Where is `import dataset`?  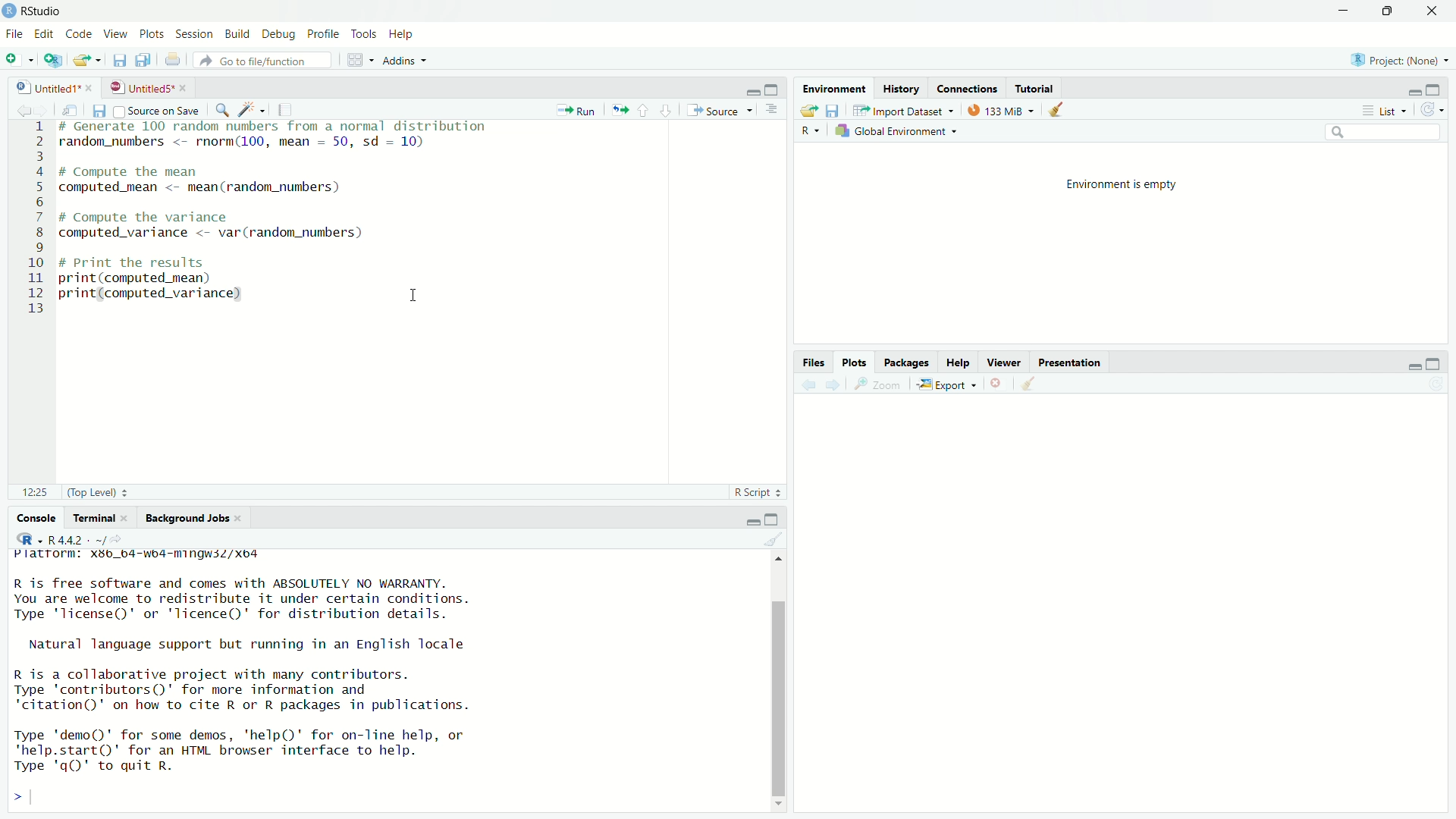 import dataset is located at coordinates (908, 108).